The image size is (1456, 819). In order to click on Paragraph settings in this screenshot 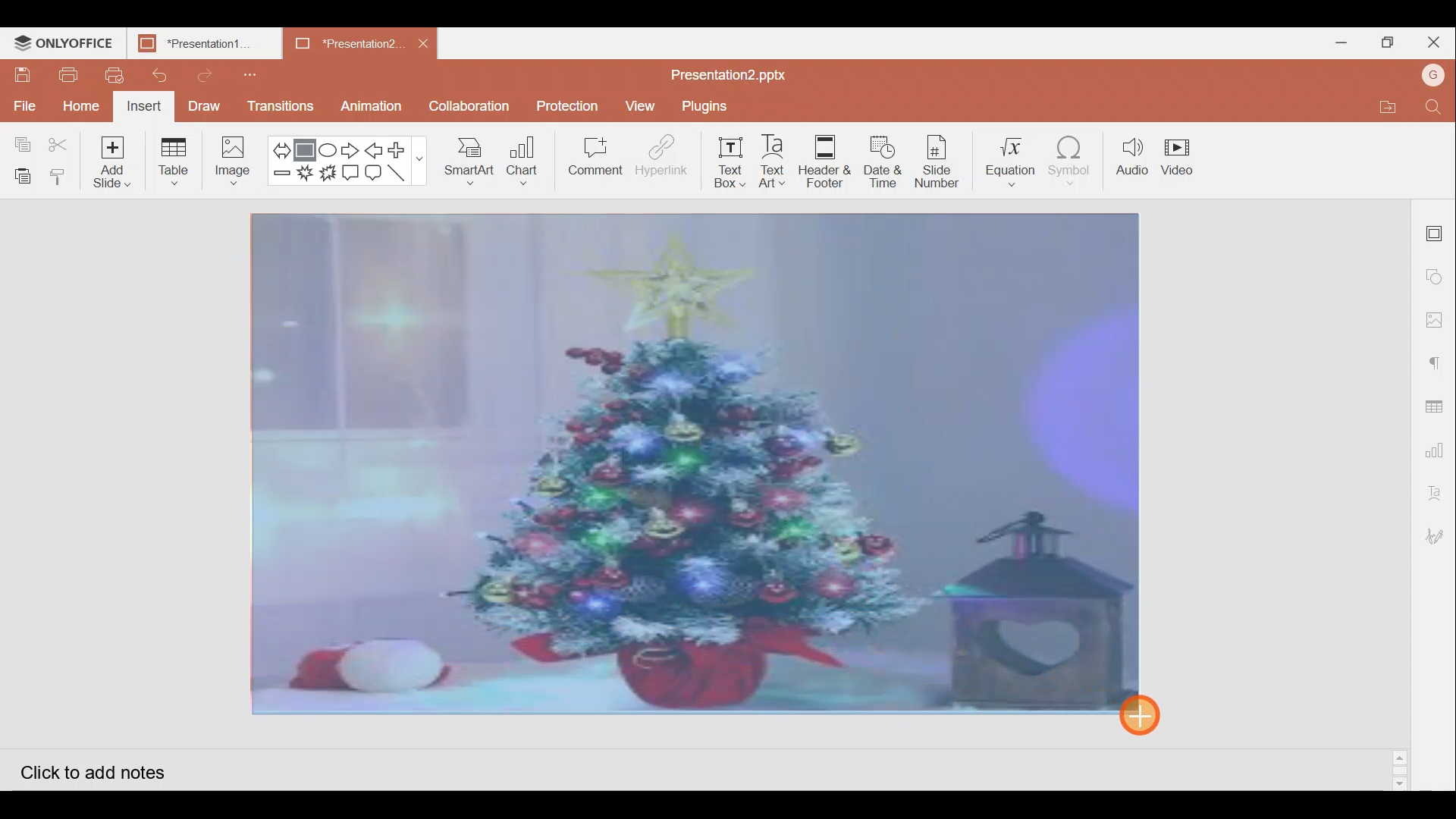, I will do `click(1441, 357)`.